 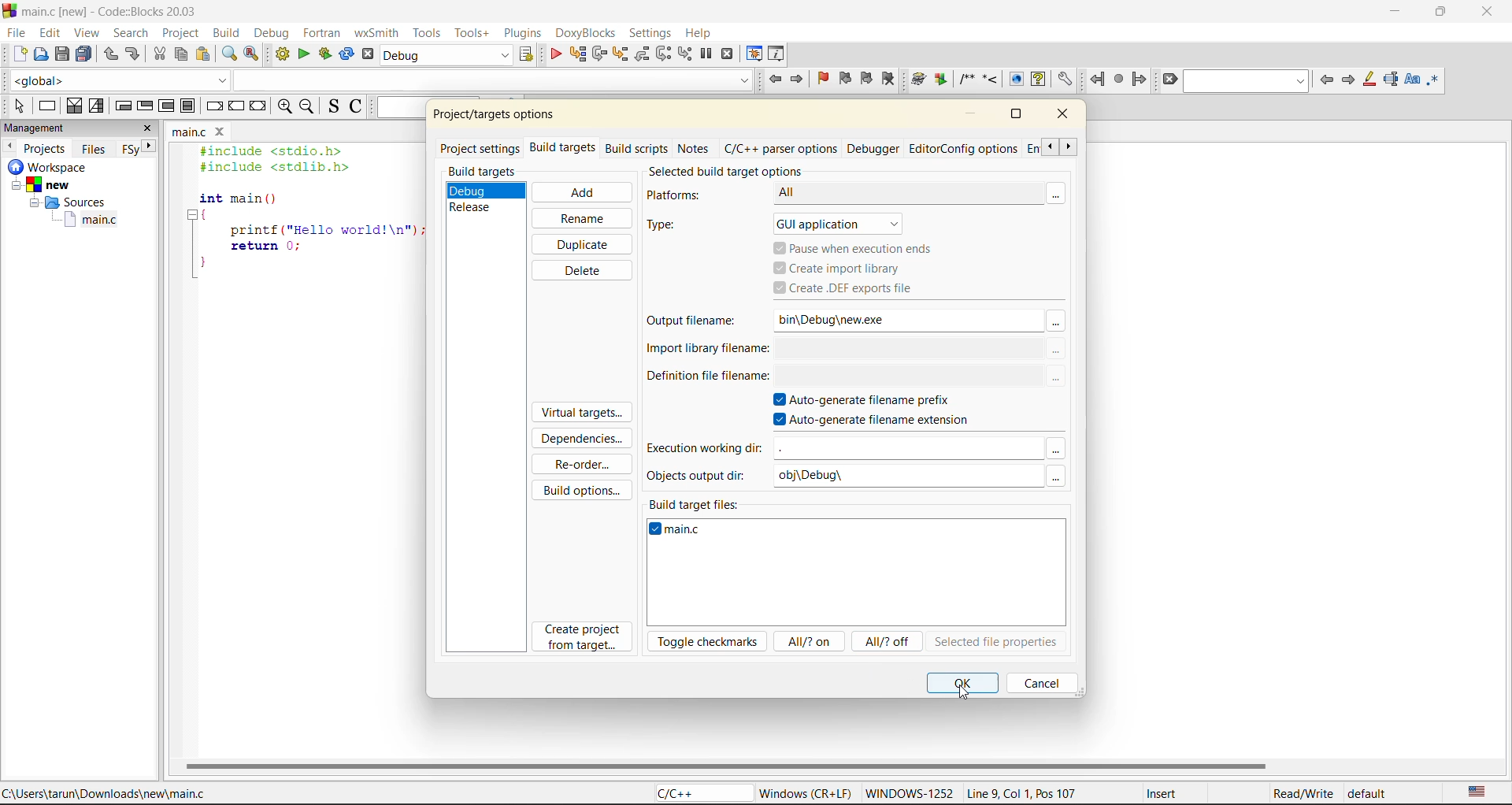 What do you see at coordinates (554, 54) in the screenshot?
I see `debug` at bounding box center [554, 54].